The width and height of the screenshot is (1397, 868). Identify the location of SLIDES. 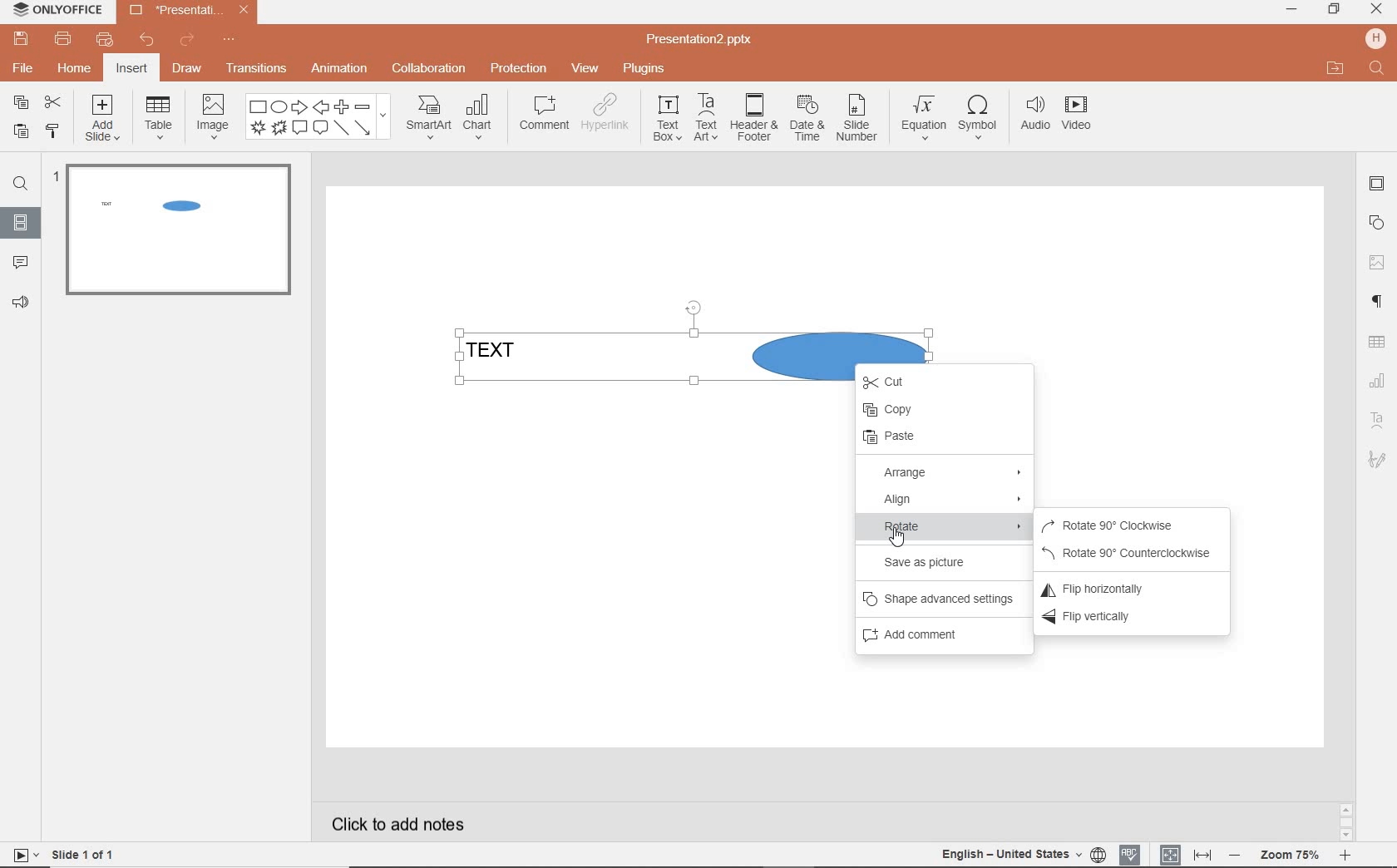
(22, 221).